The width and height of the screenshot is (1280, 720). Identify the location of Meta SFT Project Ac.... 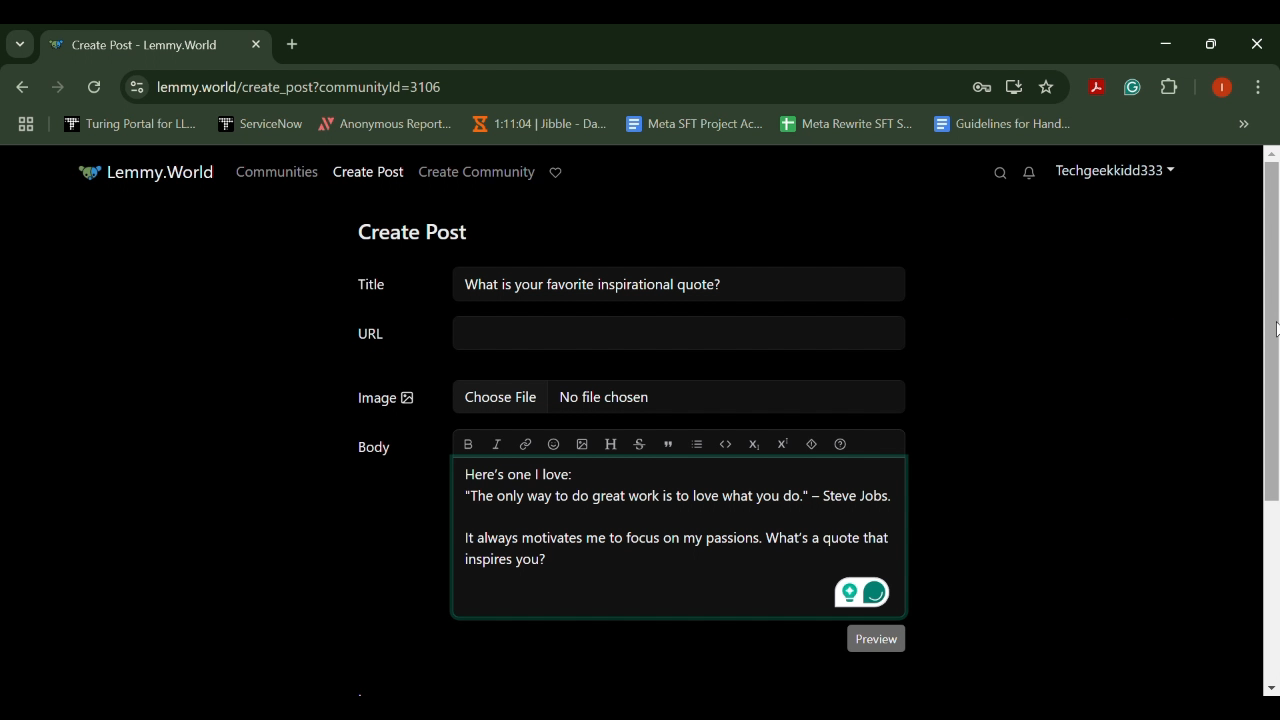
(693, 125).